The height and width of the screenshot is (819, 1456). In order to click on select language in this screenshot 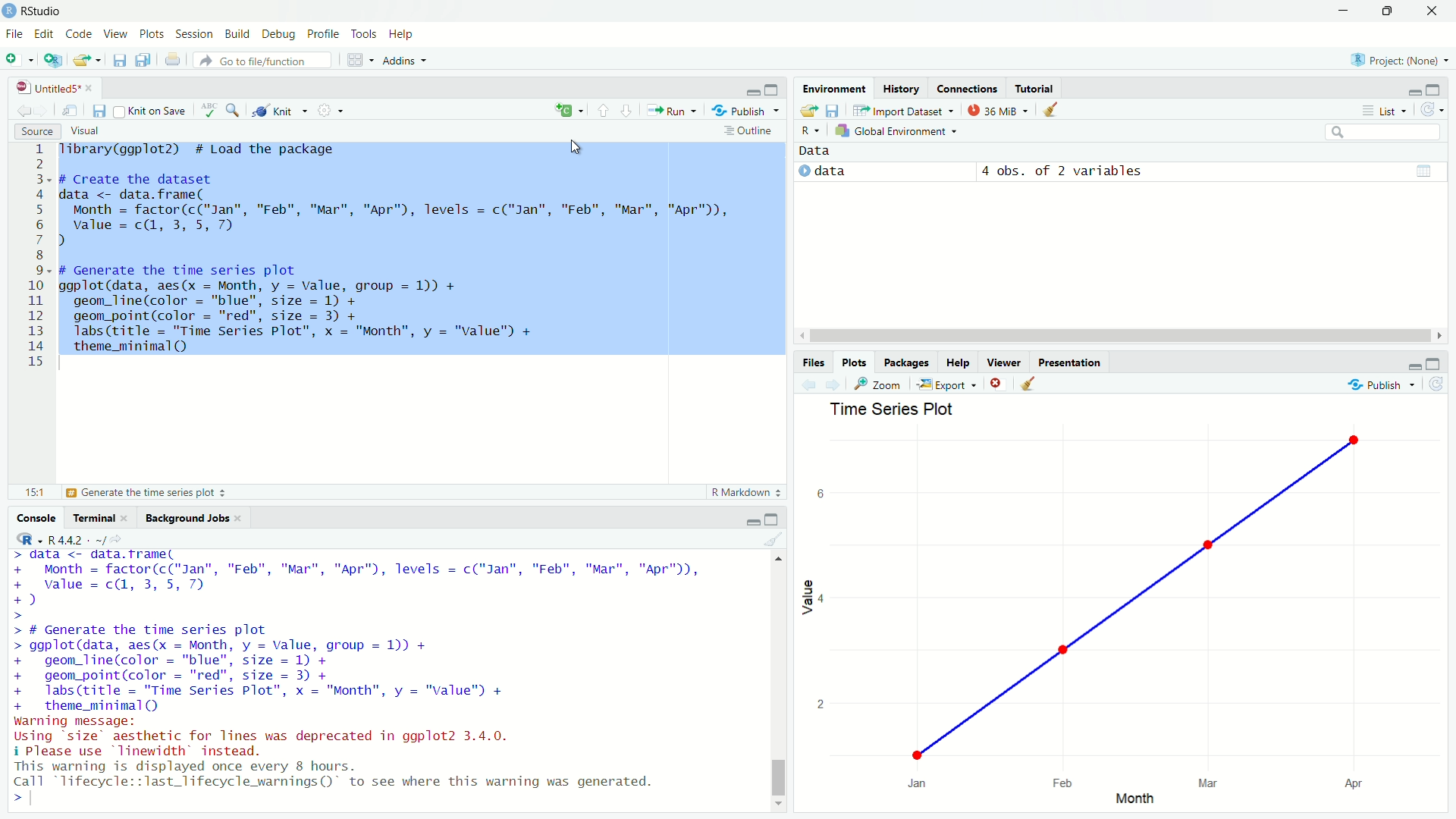, I will do `click(811, 132)`.